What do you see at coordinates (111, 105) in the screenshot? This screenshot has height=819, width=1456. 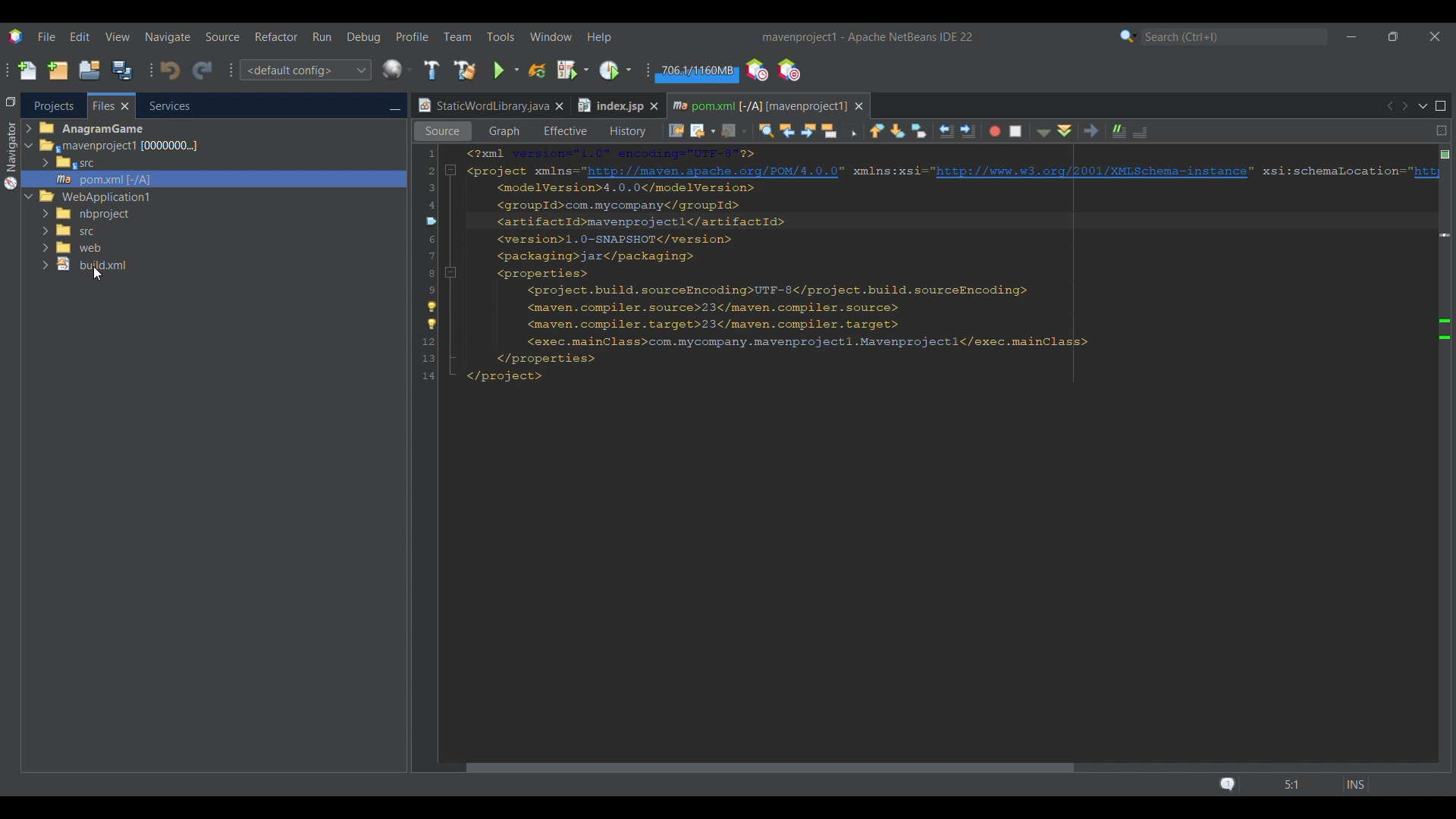 I see `Current selection highlighted` at bounding box center [111, 105].